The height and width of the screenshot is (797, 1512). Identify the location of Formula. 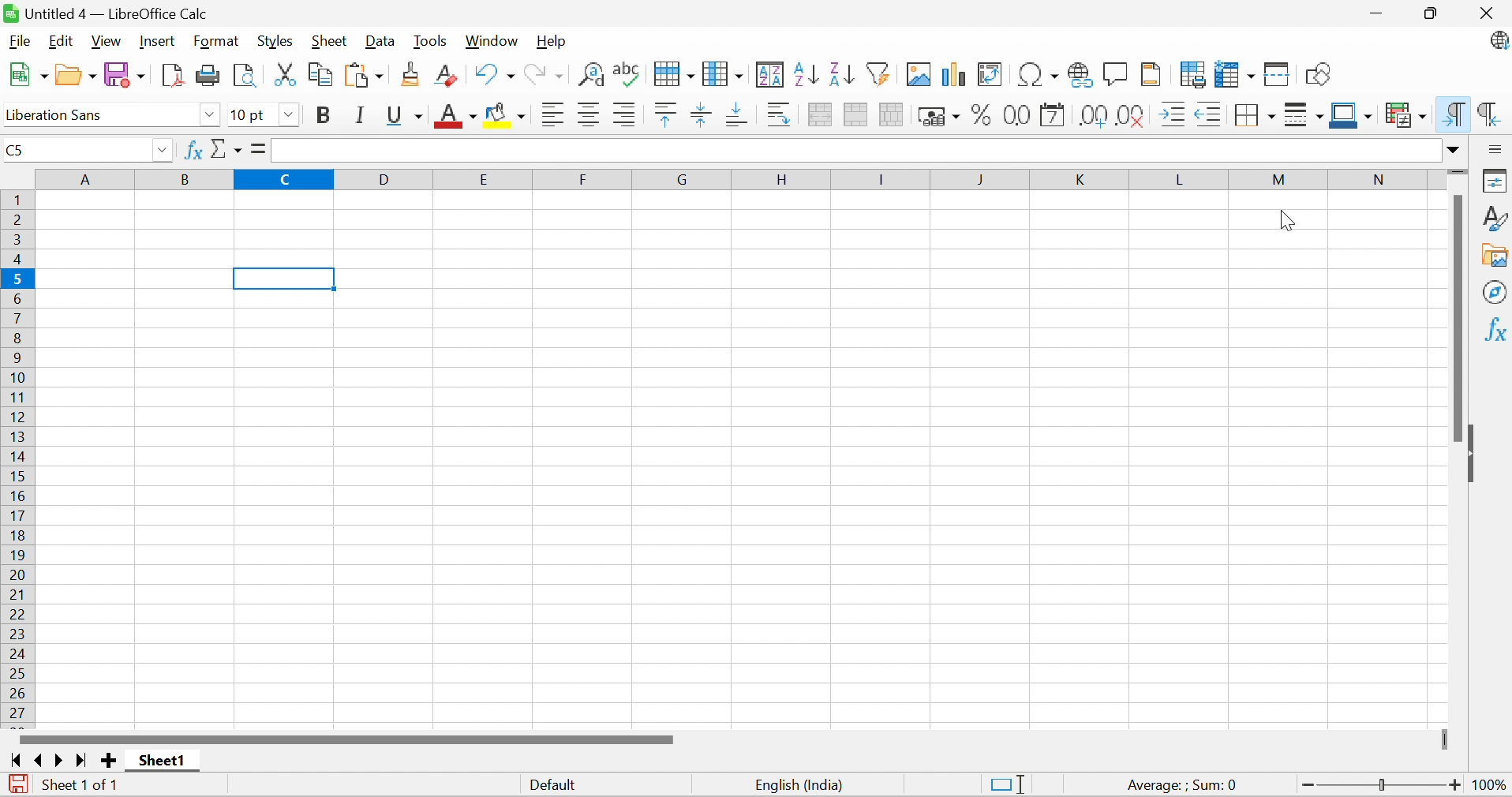
(256, 148).